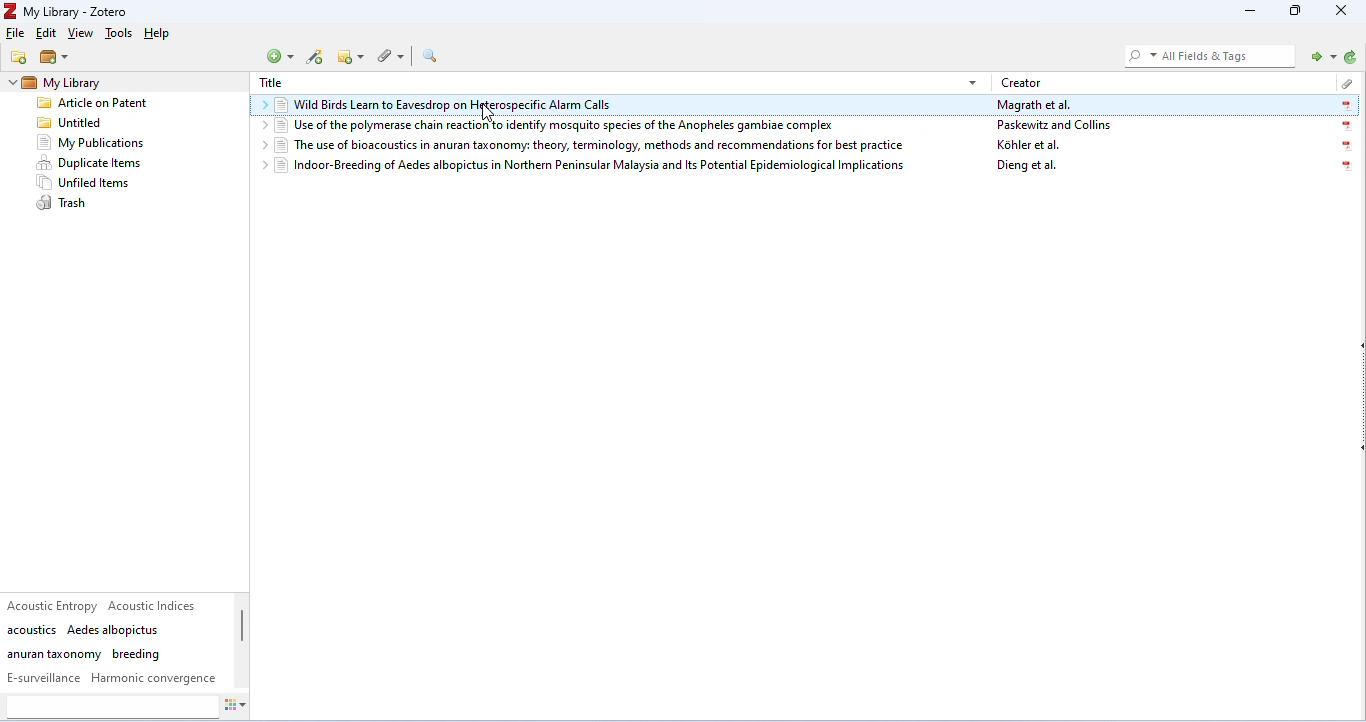  I want to click on close, so click(1343, 11).